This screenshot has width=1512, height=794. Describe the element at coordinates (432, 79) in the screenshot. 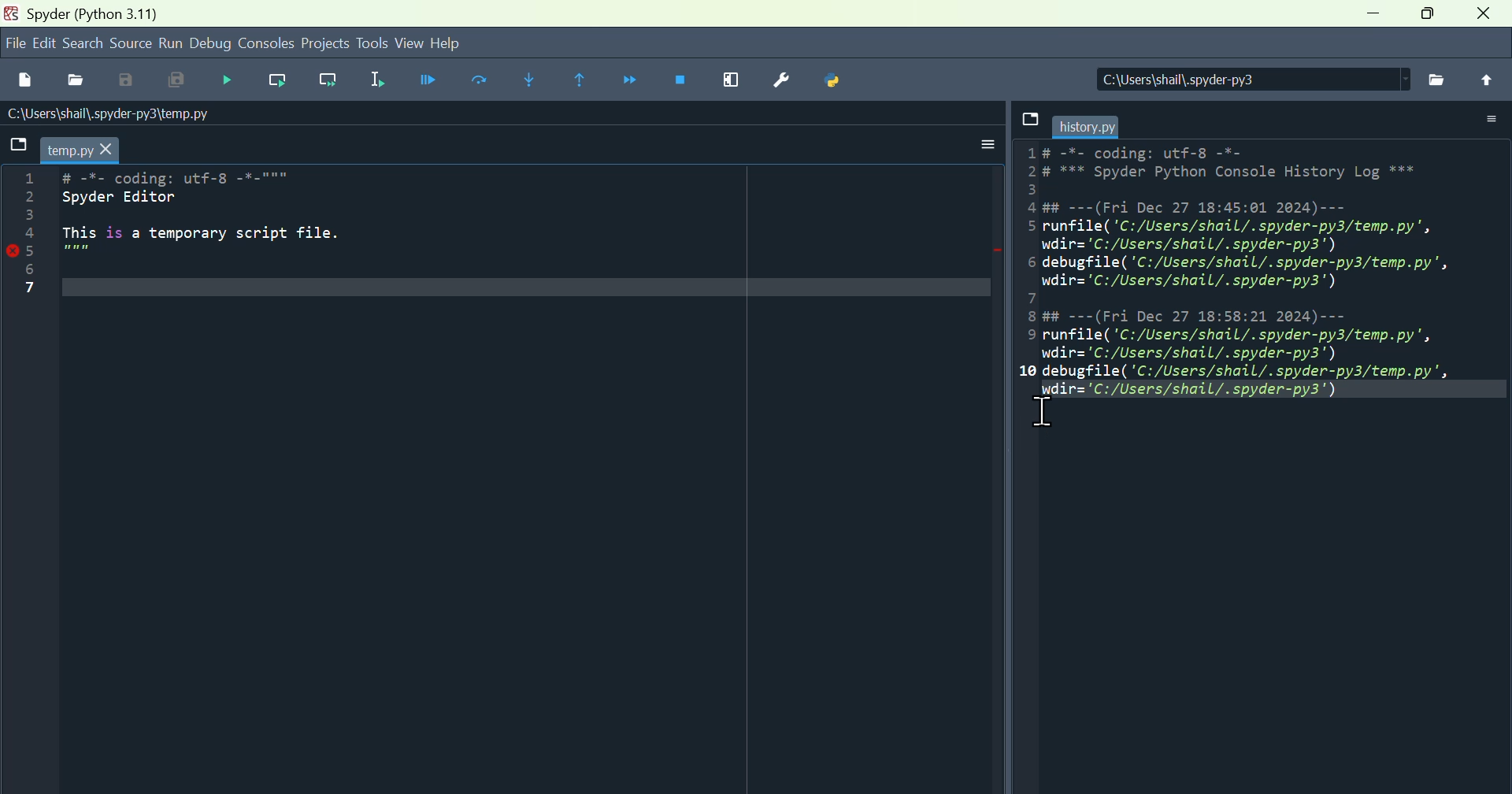

I see `Debug` at that location.